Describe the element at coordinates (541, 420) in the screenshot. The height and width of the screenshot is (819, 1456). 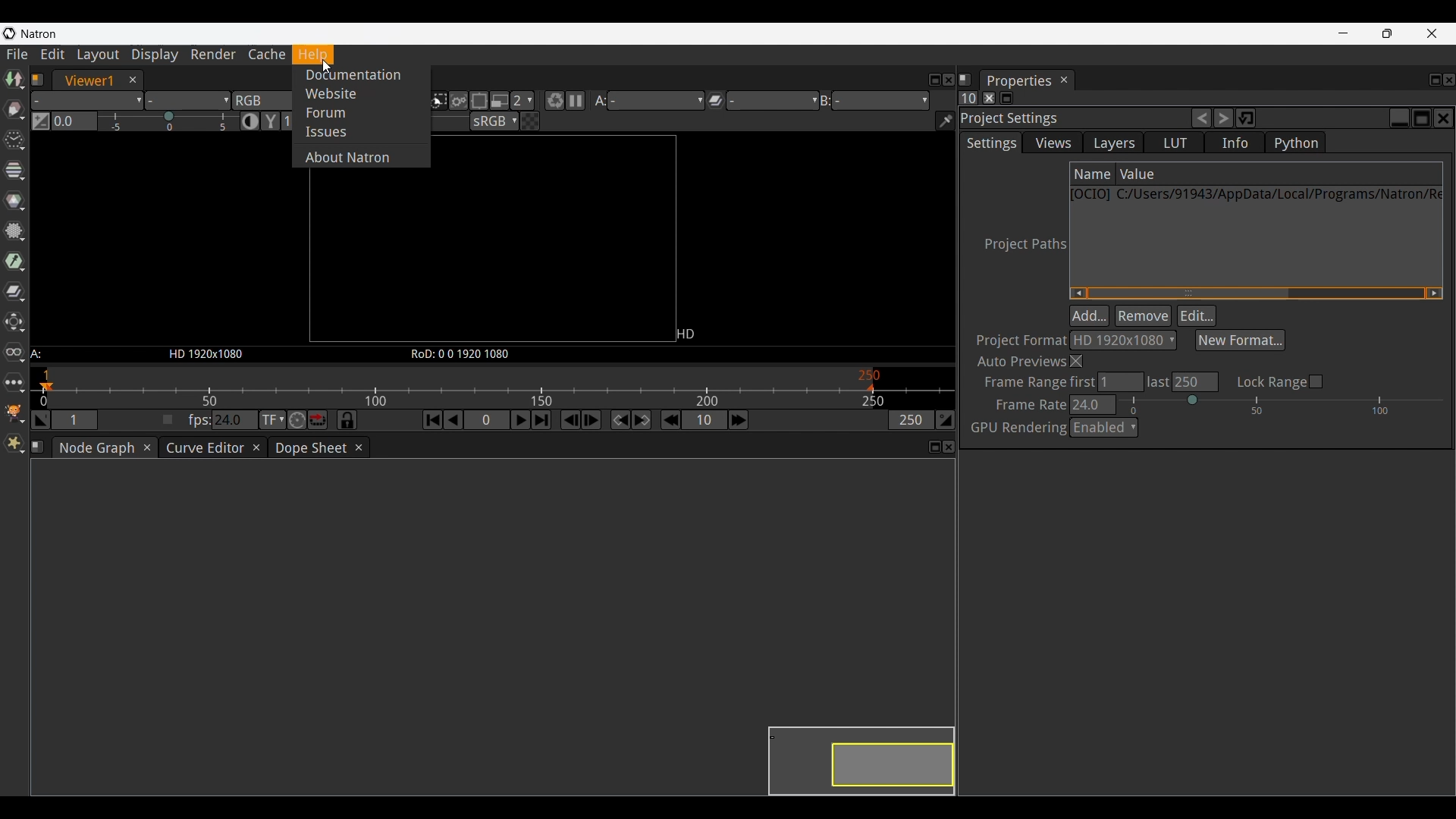
I see `Last frame` at that location.